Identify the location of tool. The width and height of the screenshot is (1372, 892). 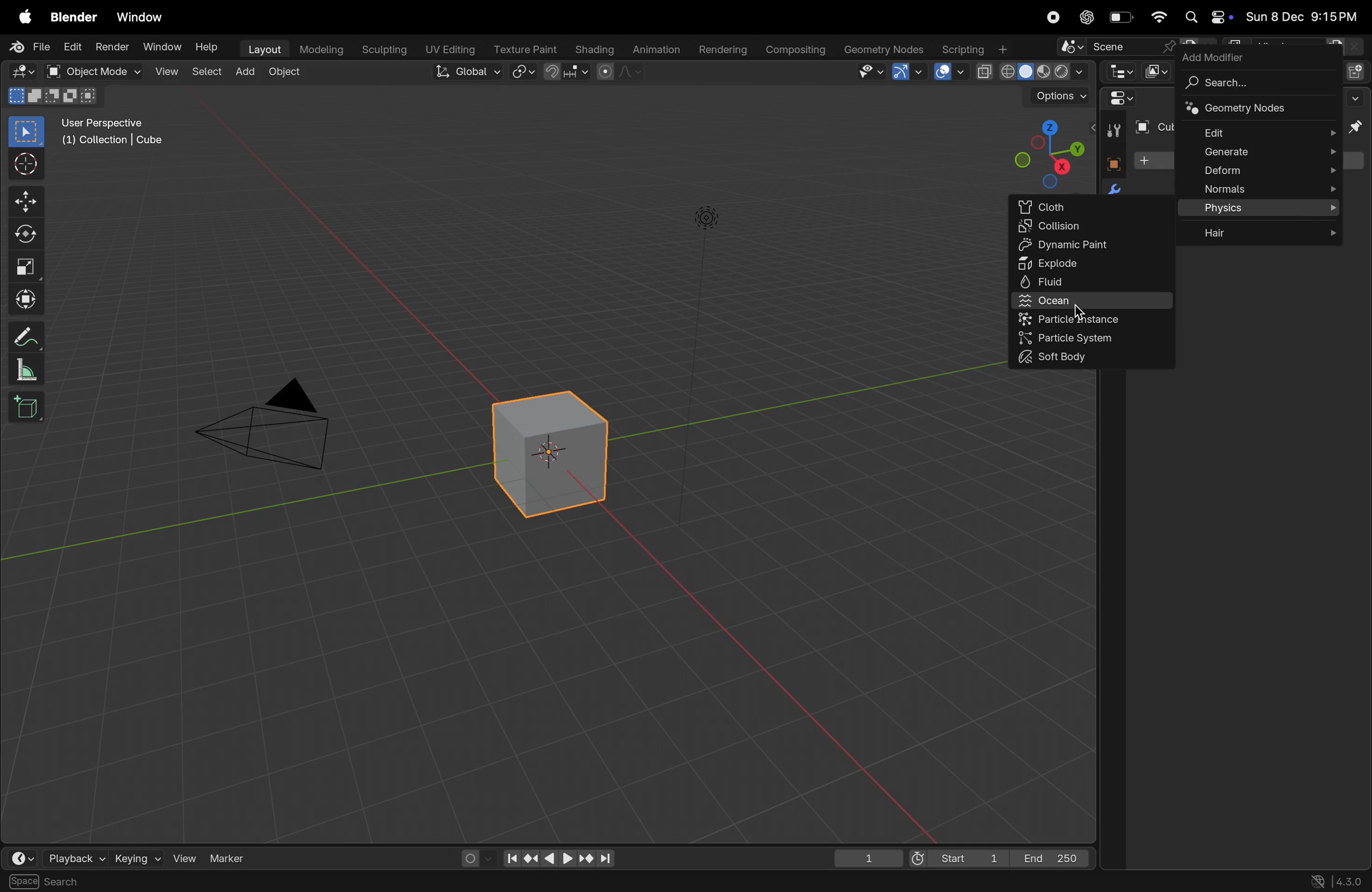
(1111, 131).